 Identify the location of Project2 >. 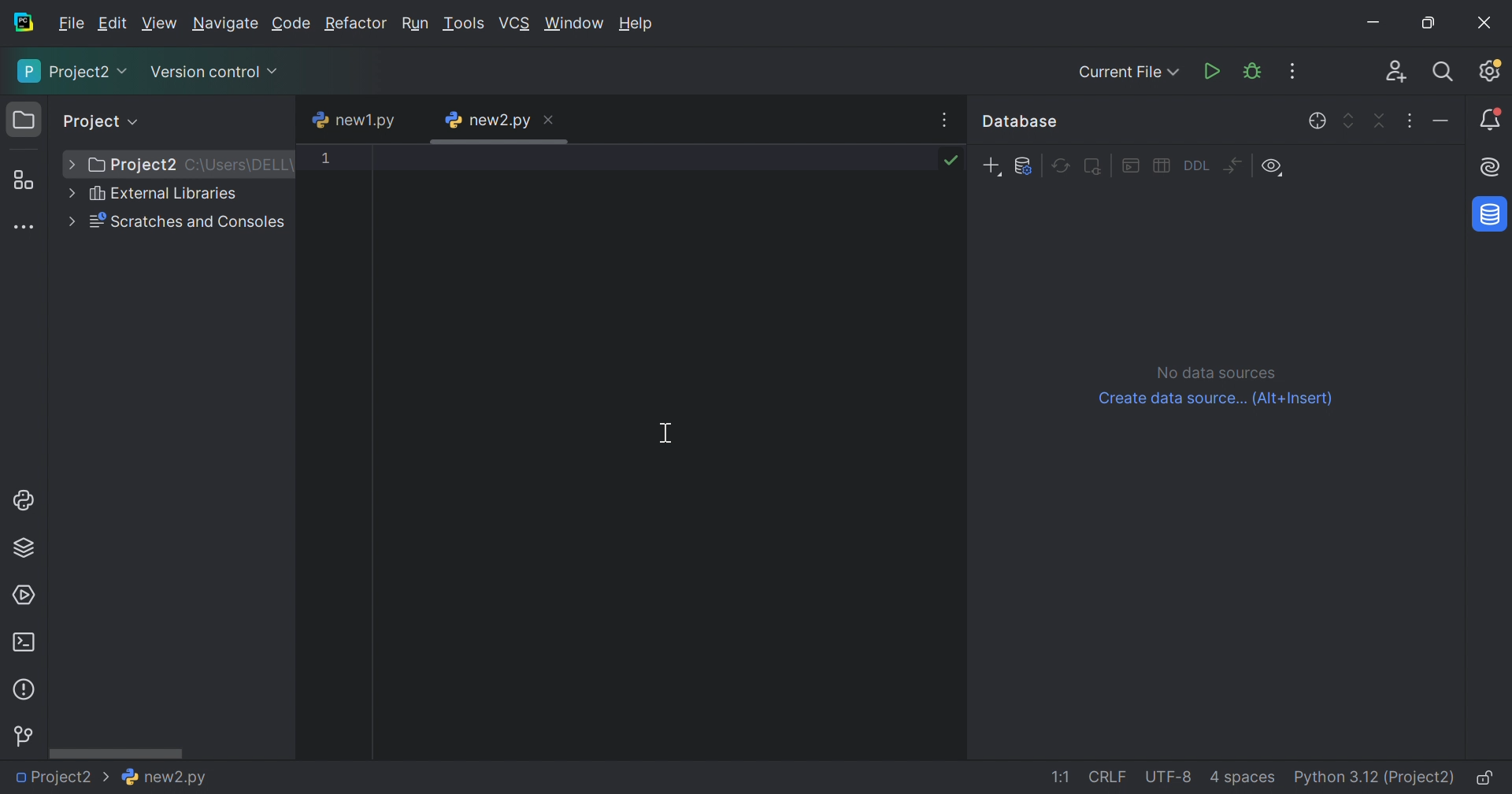
(59, 777).